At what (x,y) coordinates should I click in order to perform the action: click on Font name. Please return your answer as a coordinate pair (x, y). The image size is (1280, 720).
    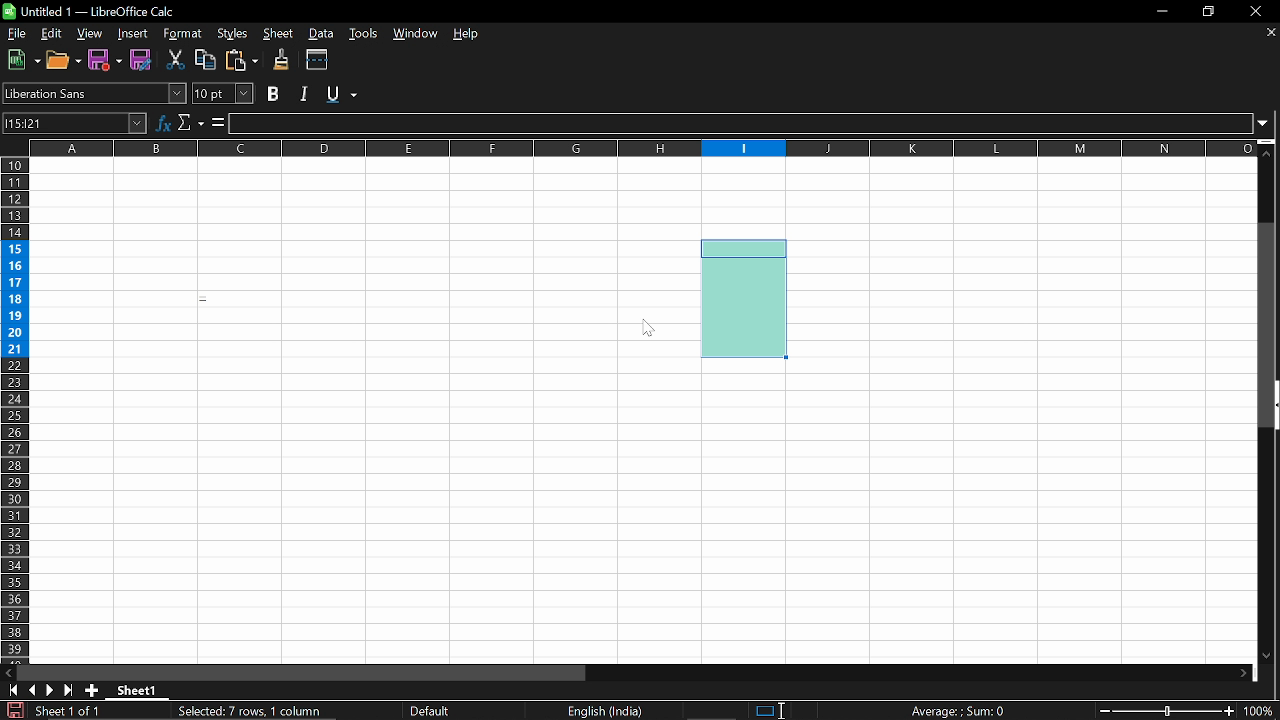
    Looking at the image, I should click on (94, 92).